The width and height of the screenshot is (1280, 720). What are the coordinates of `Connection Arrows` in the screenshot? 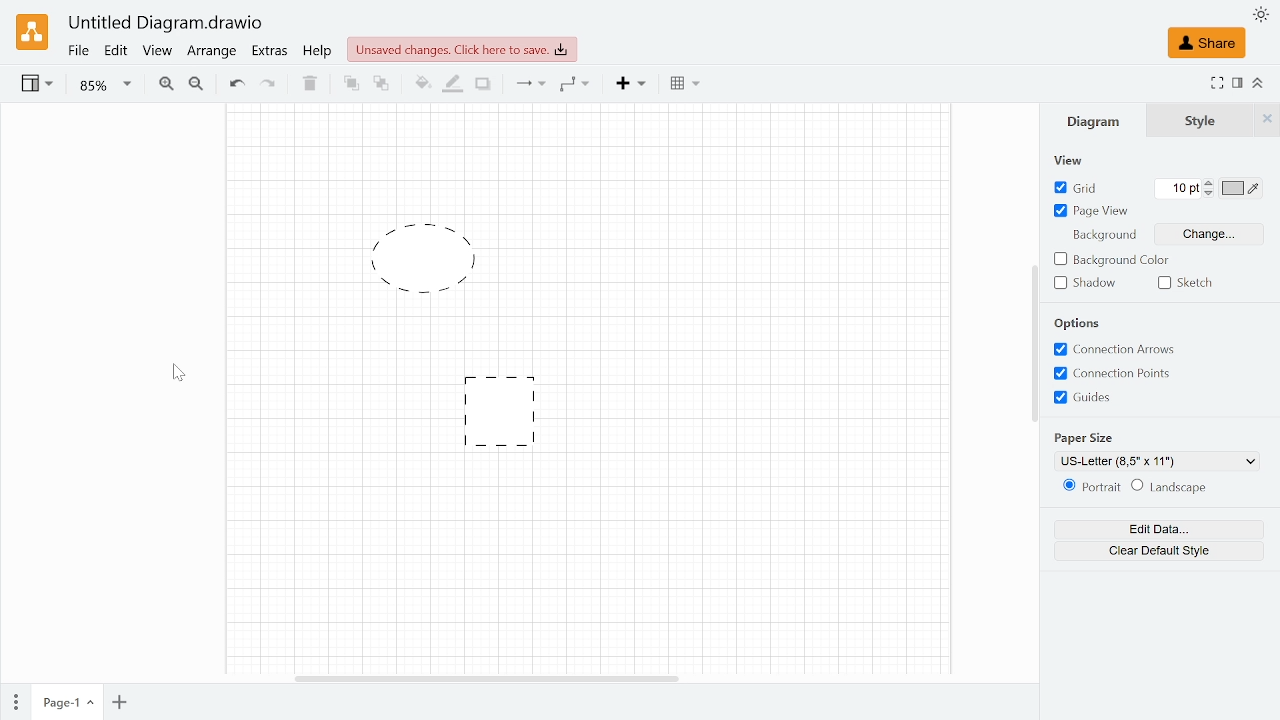 It's located at (1116, 349).